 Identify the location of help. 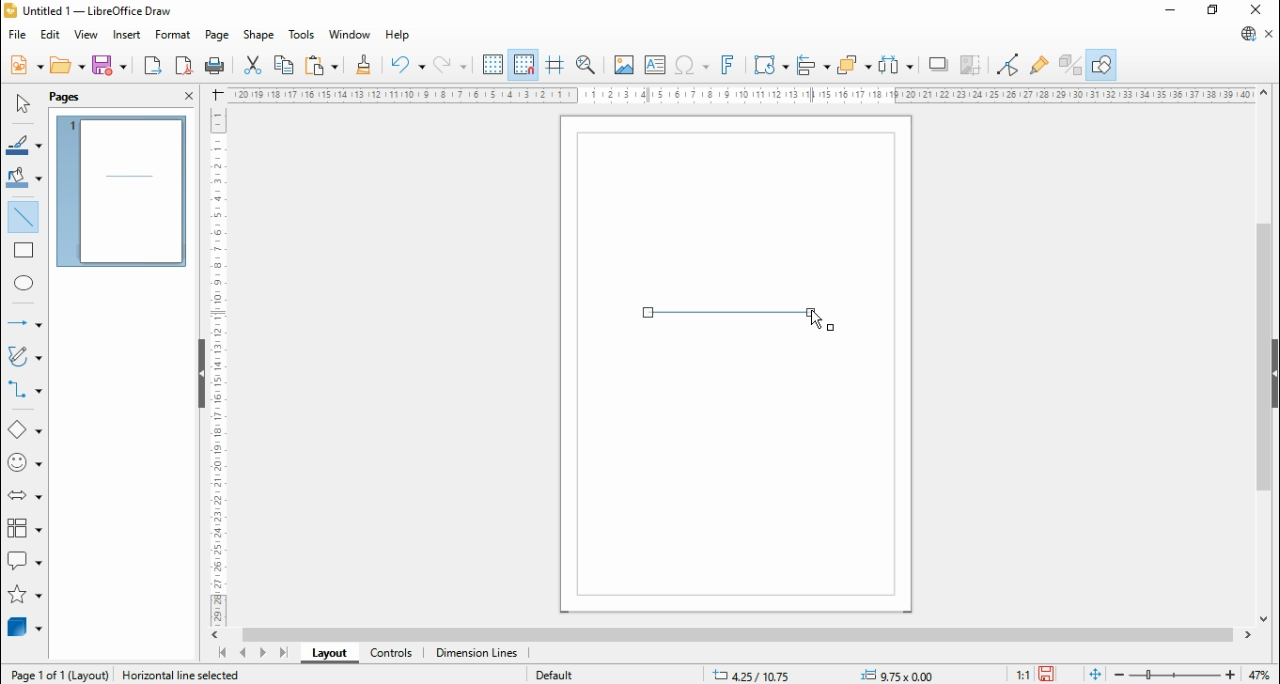
(398, 35).